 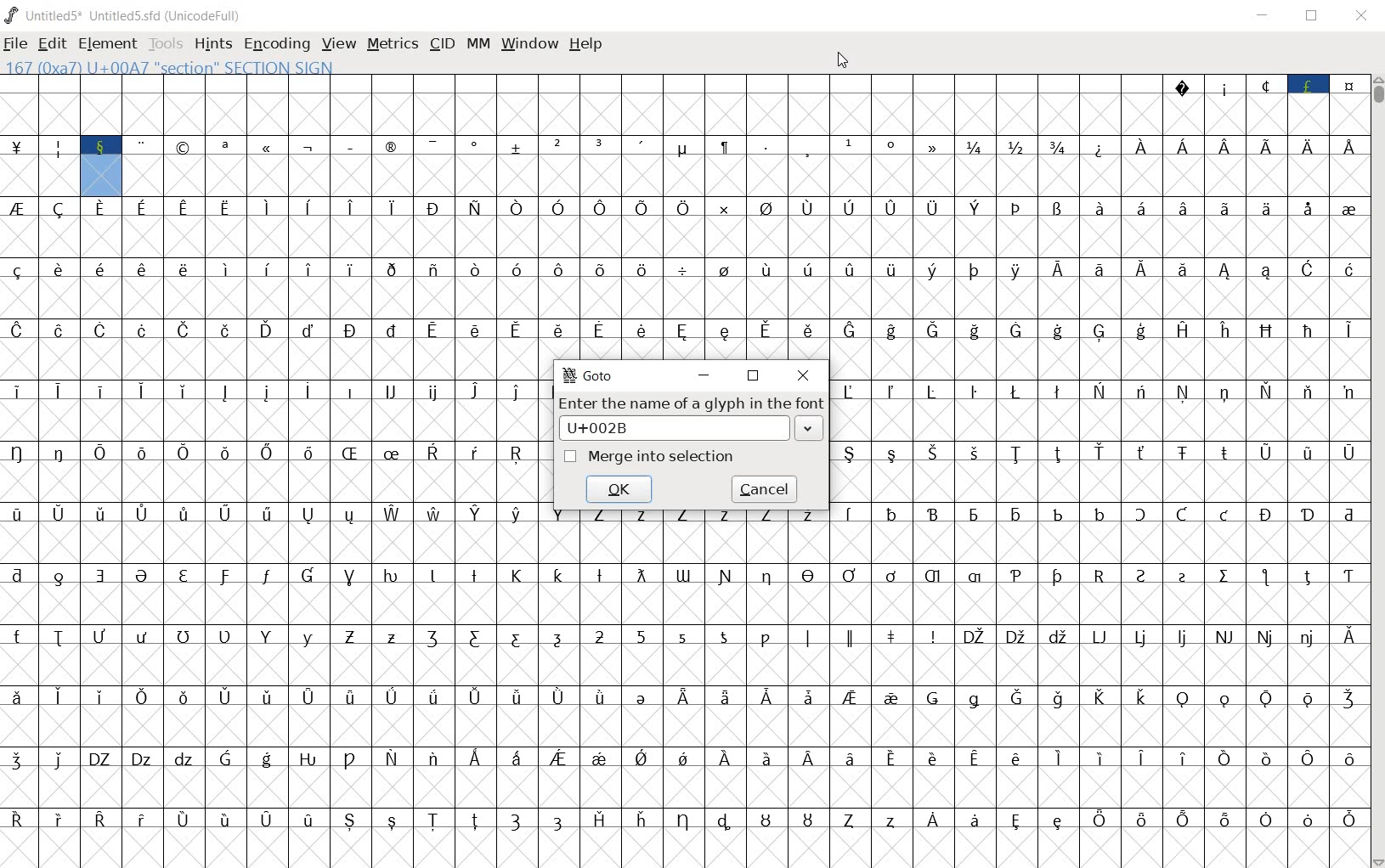 I want to click on special alphabets, so click(x=517, y=840).